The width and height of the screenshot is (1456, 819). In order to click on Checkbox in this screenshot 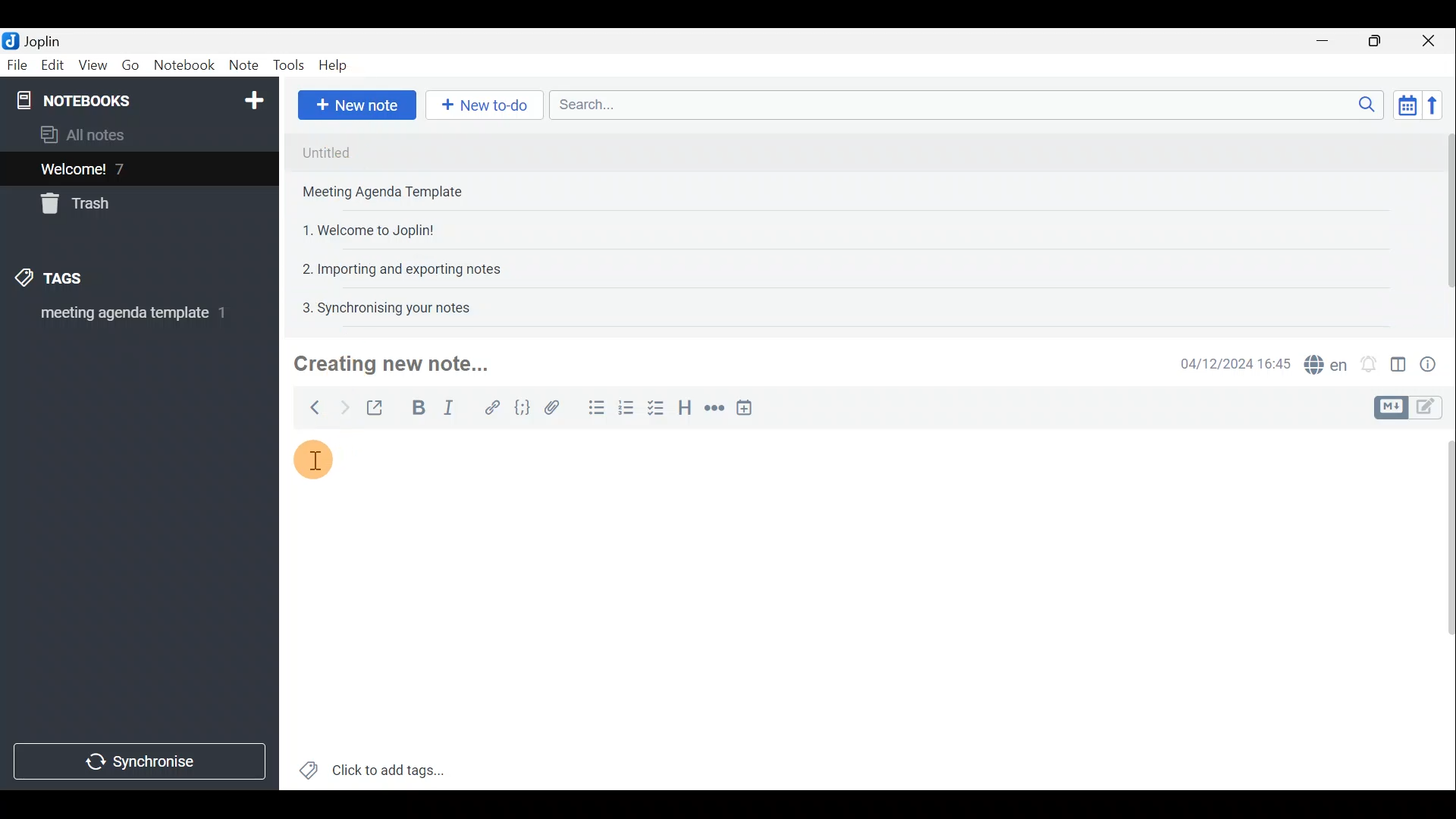, I will do `click(661, 412)`.